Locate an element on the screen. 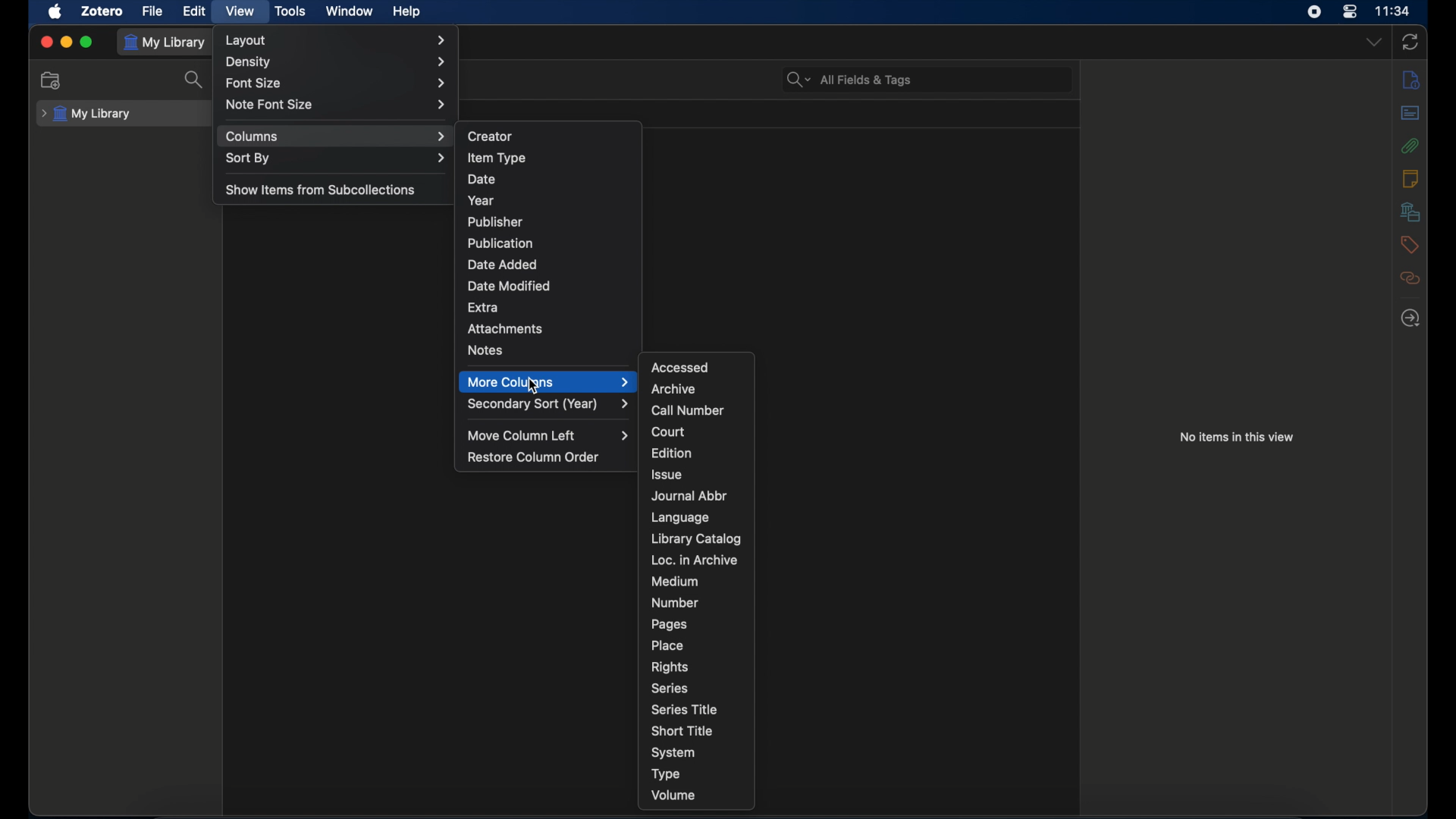 Image resolution: width=1456 pixels, height=819 pixels. time is located at coordinates (1393, 10).